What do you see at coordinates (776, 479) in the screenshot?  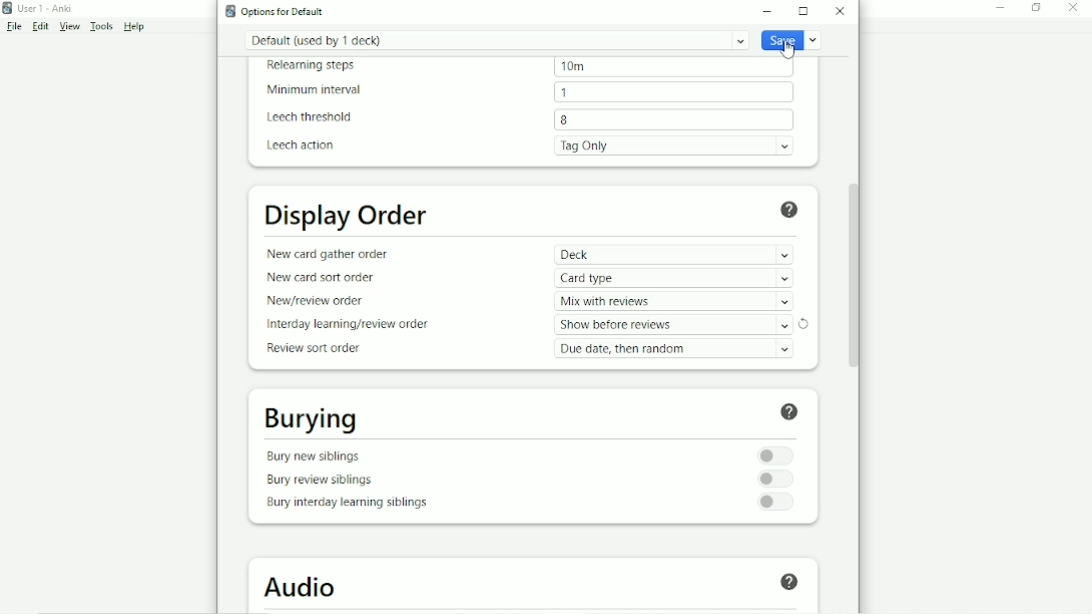 I see `Toggle for bury review siblings` at bounding box center [776, 479].